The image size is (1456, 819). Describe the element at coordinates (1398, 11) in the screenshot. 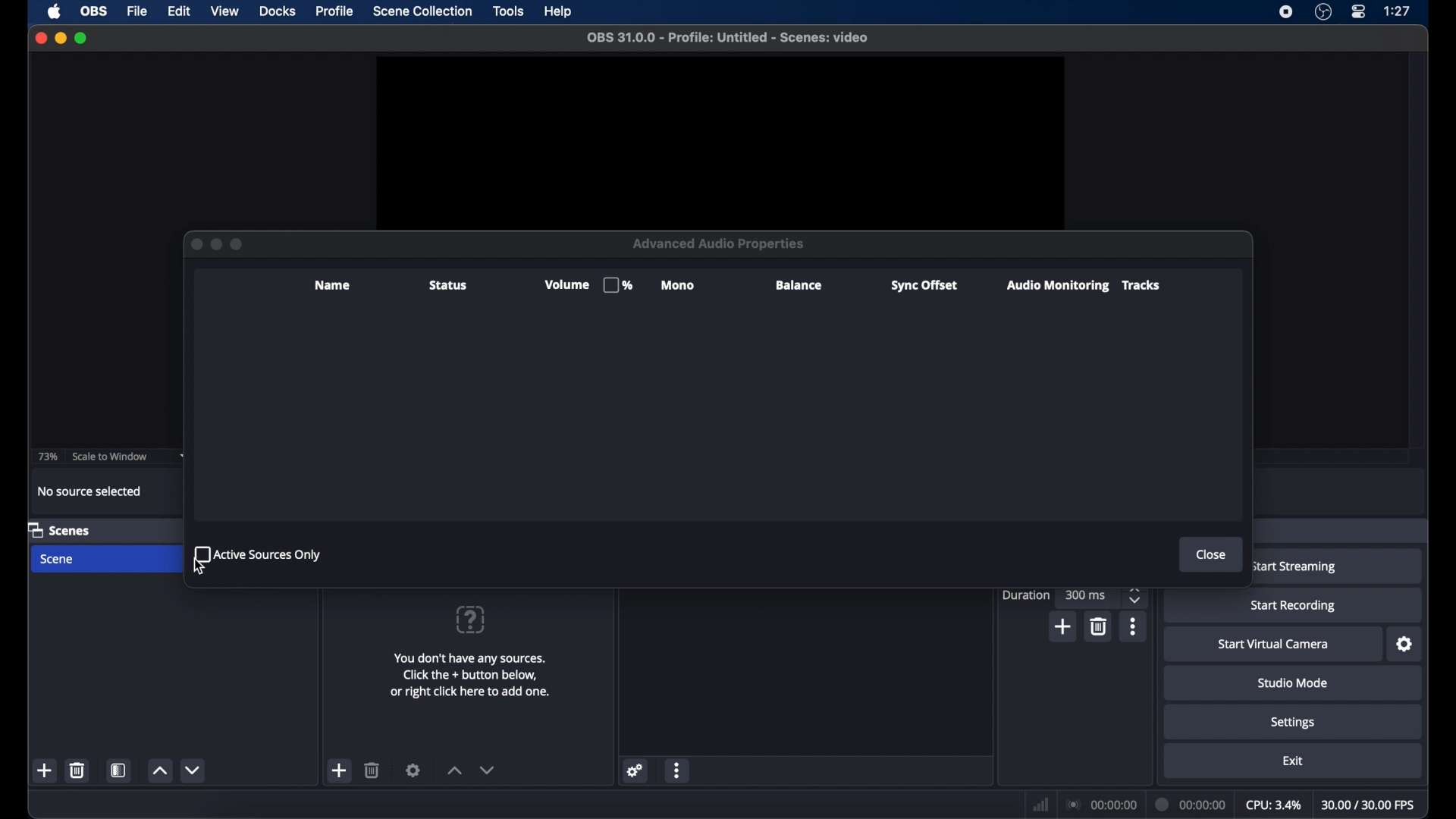

I see `1.27` at that location.